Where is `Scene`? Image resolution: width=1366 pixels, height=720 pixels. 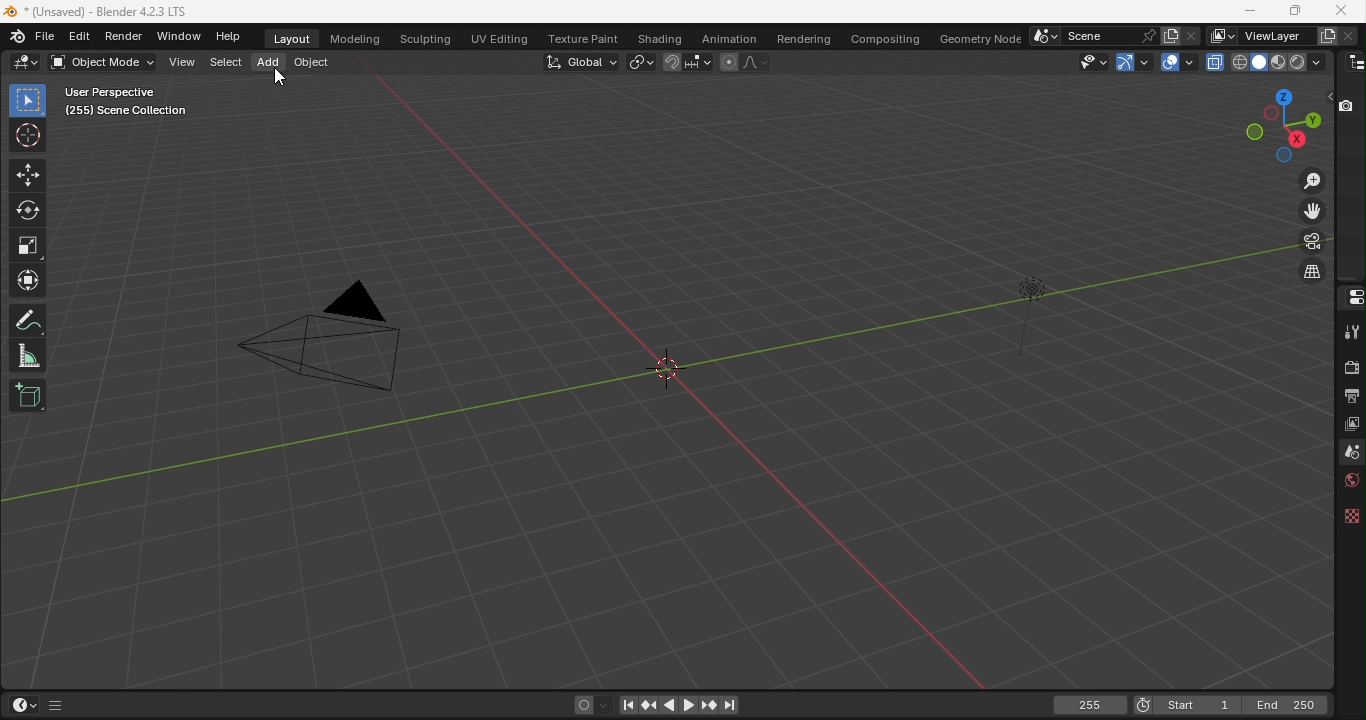
Scene is located at coordinates (1348, 453).